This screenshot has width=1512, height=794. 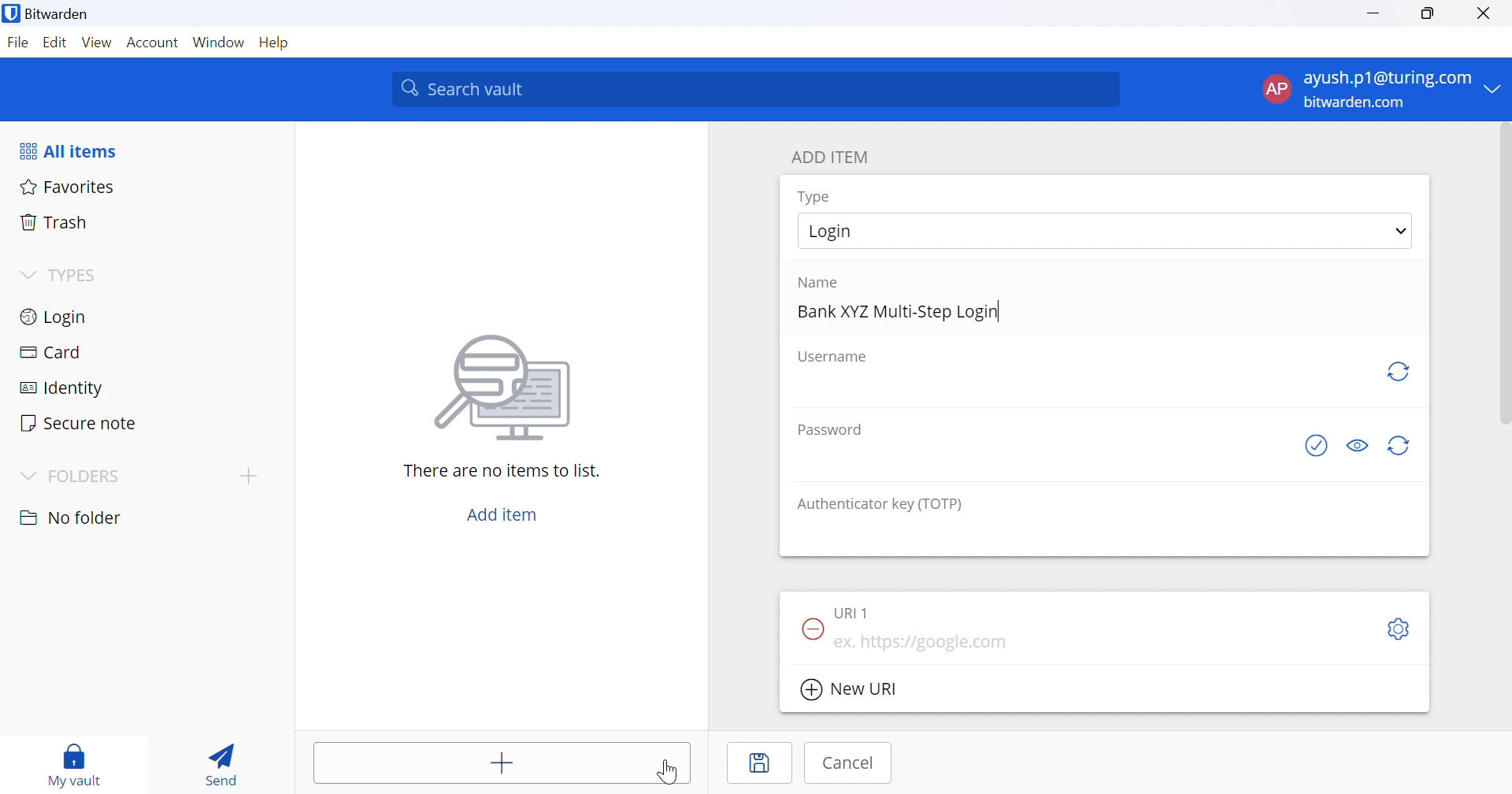 What do you see at coordinates (760, 763) in the screenshot?
I see `Save` at bounding box center [760, 763].